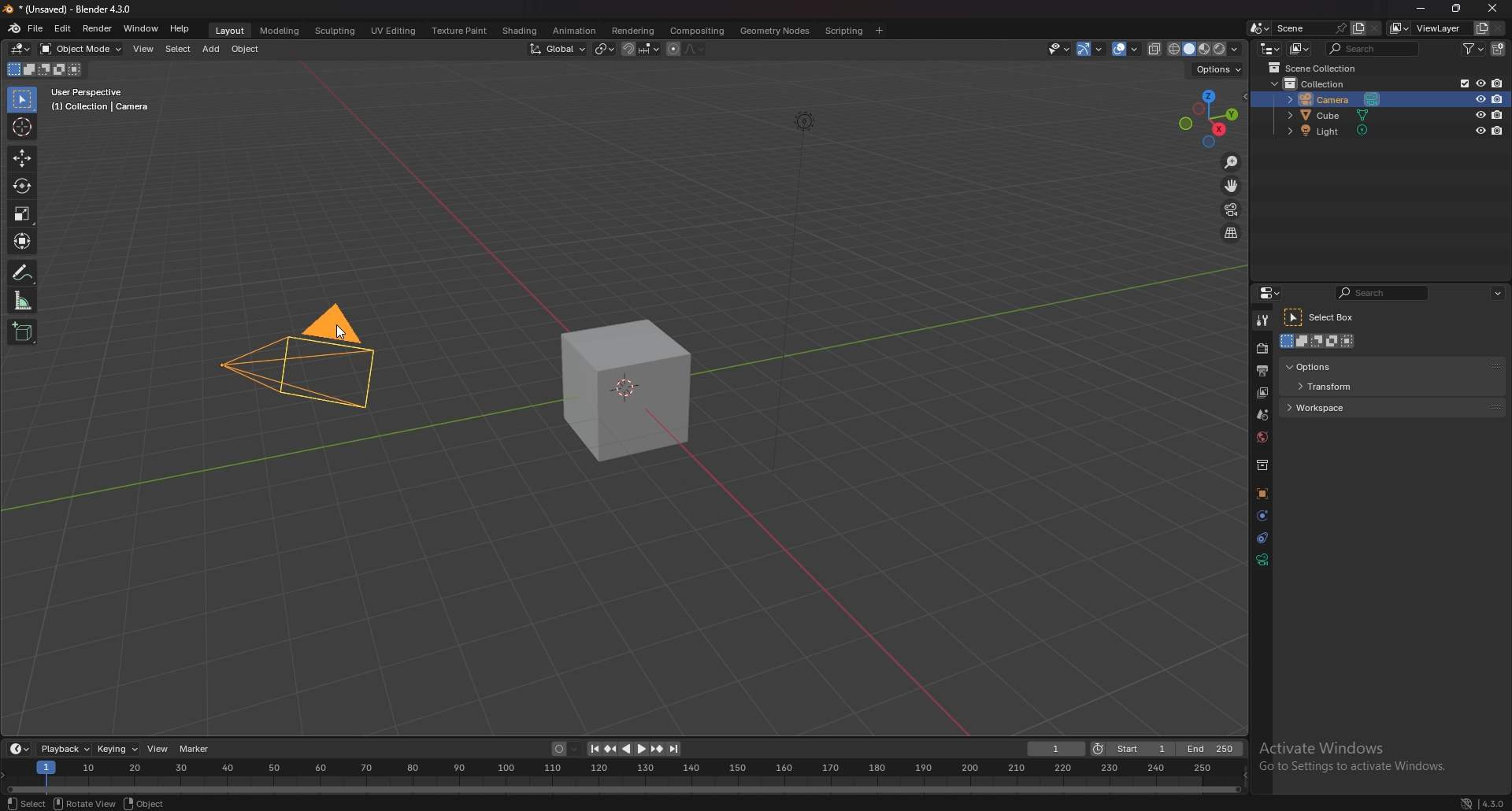 The height and width of the screenshot is (811, 1512). I want to click on physics, so click(1261, 515).